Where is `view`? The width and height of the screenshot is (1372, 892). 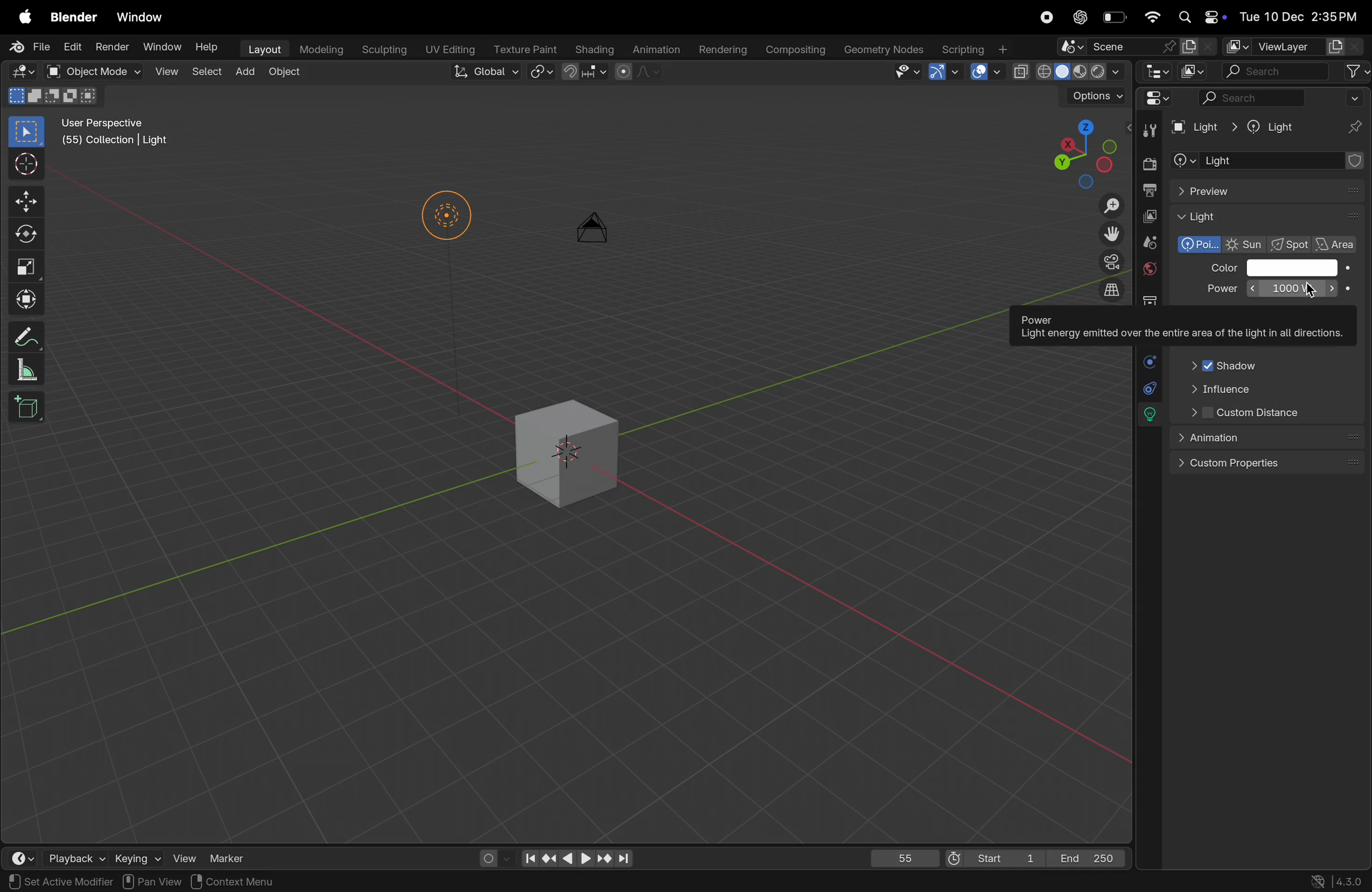 view is located at coordinates (165, 73).